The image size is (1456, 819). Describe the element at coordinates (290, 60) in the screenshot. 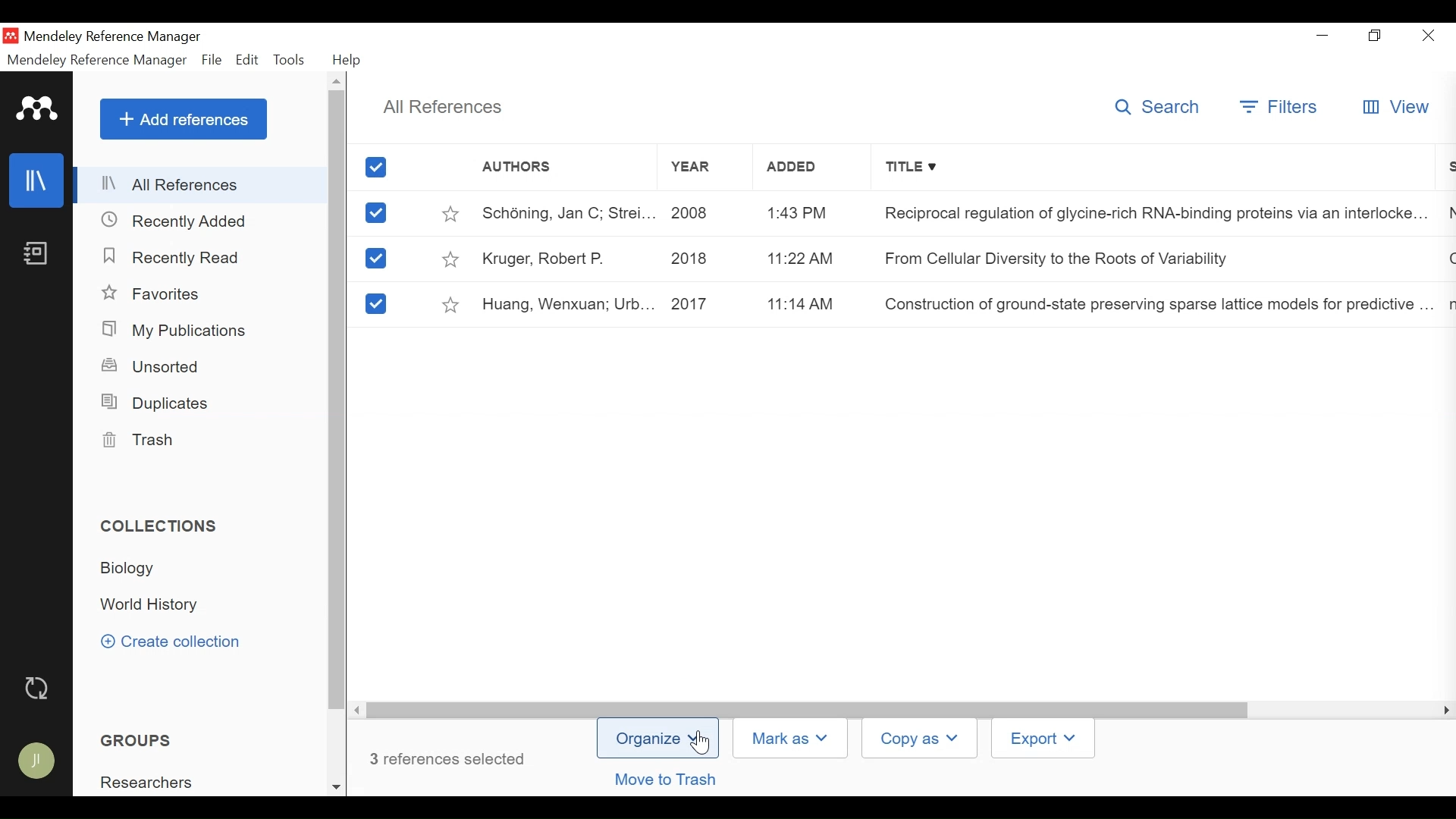

I see `Tools` at that location.